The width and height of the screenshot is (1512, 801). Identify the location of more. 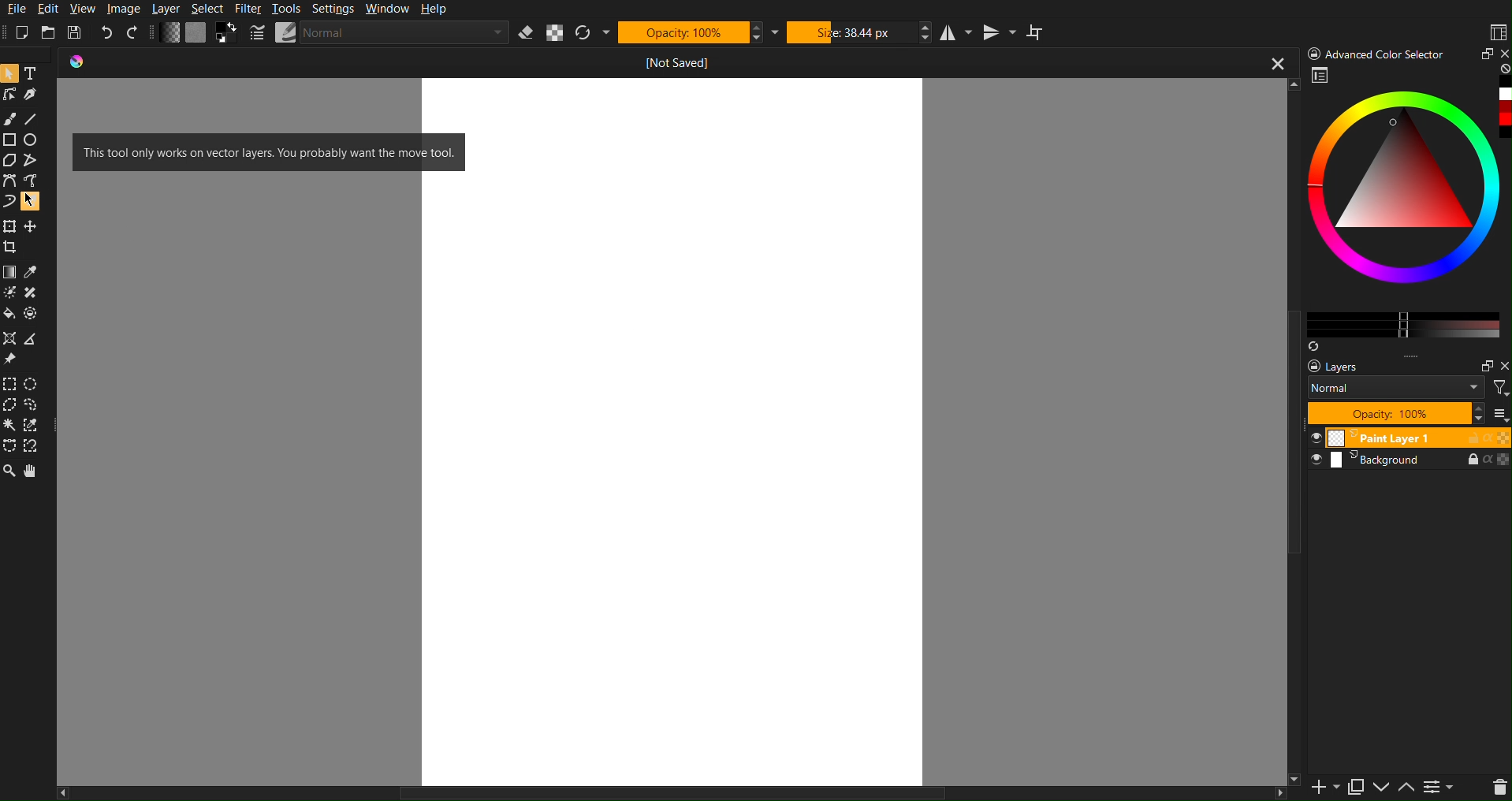
(1424, 356).